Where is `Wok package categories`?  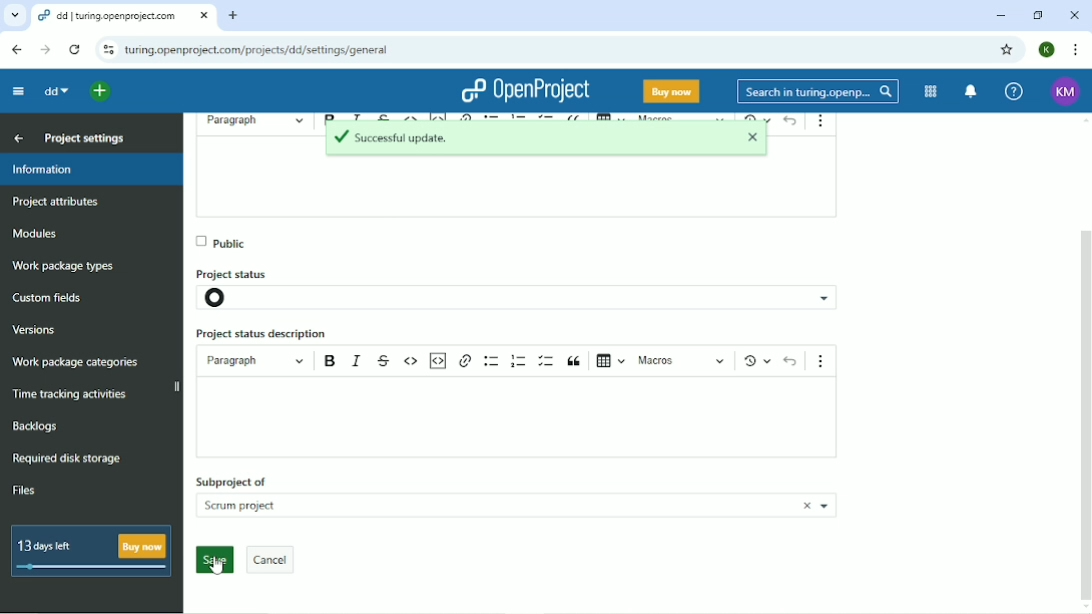 Wok package categories is located at coordinates (76, 363).